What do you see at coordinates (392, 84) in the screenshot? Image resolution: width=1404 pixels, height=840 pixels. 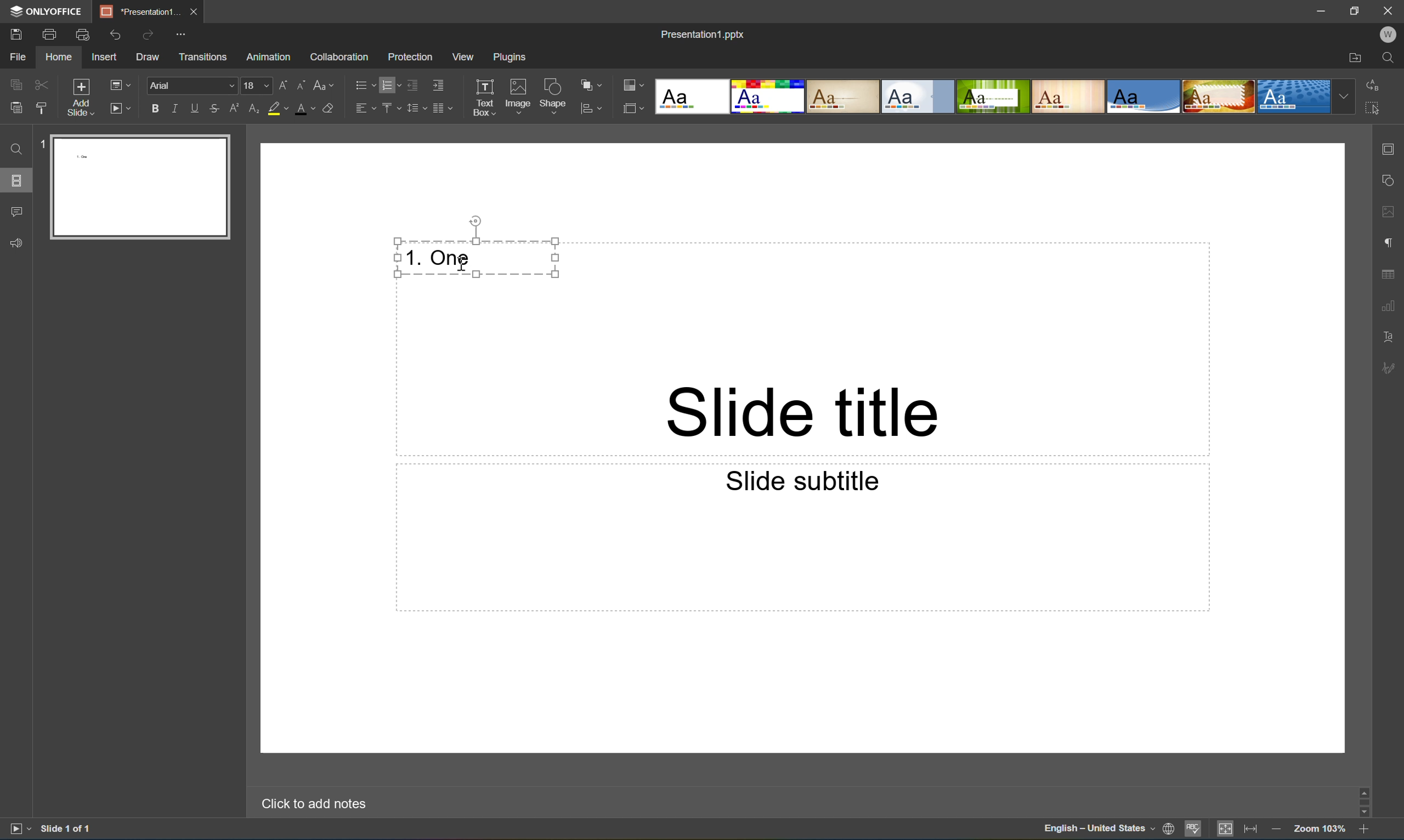 I see `Numebring` at bounding box center [392, 84].